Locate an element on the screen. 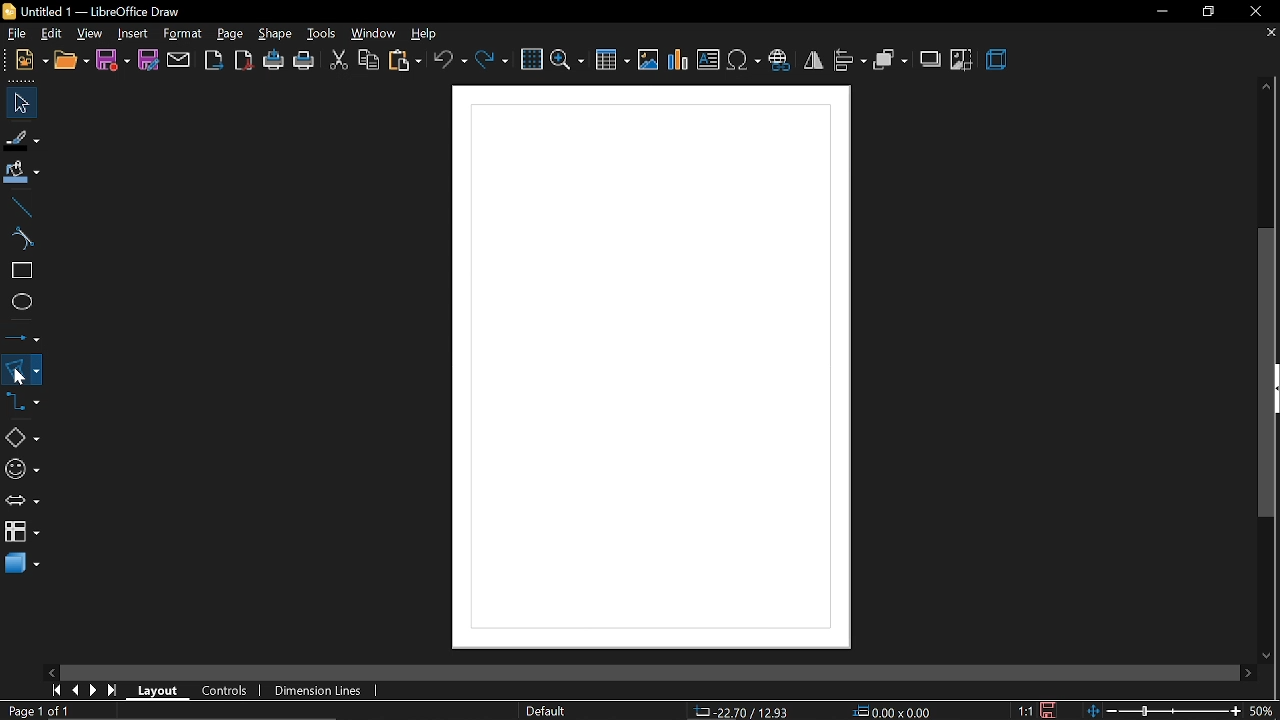 The image size is (1280, 720). minimize is located at coordinates (1162, 12).